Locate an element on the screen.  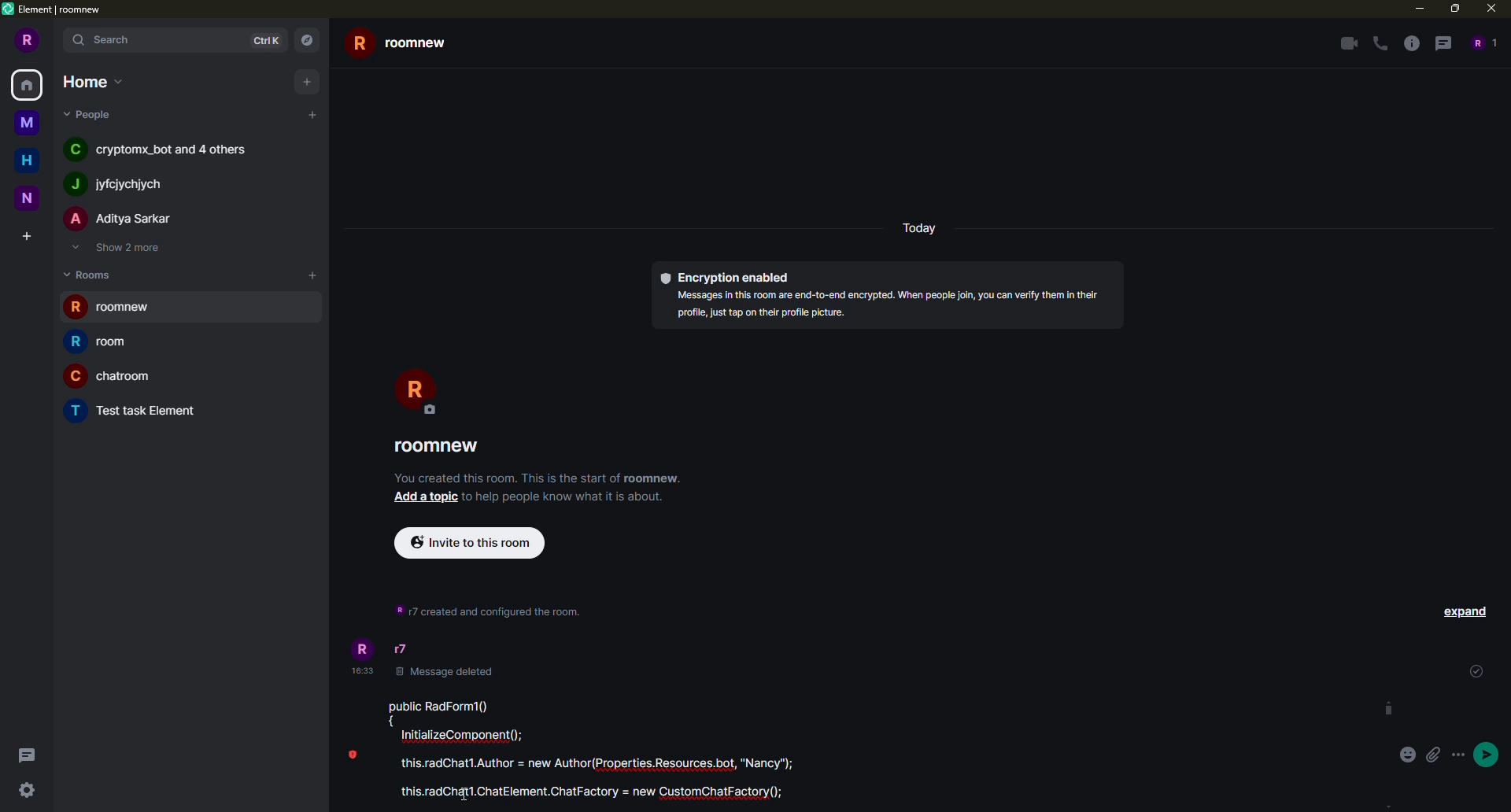
info is located at coordinates (493, 608).